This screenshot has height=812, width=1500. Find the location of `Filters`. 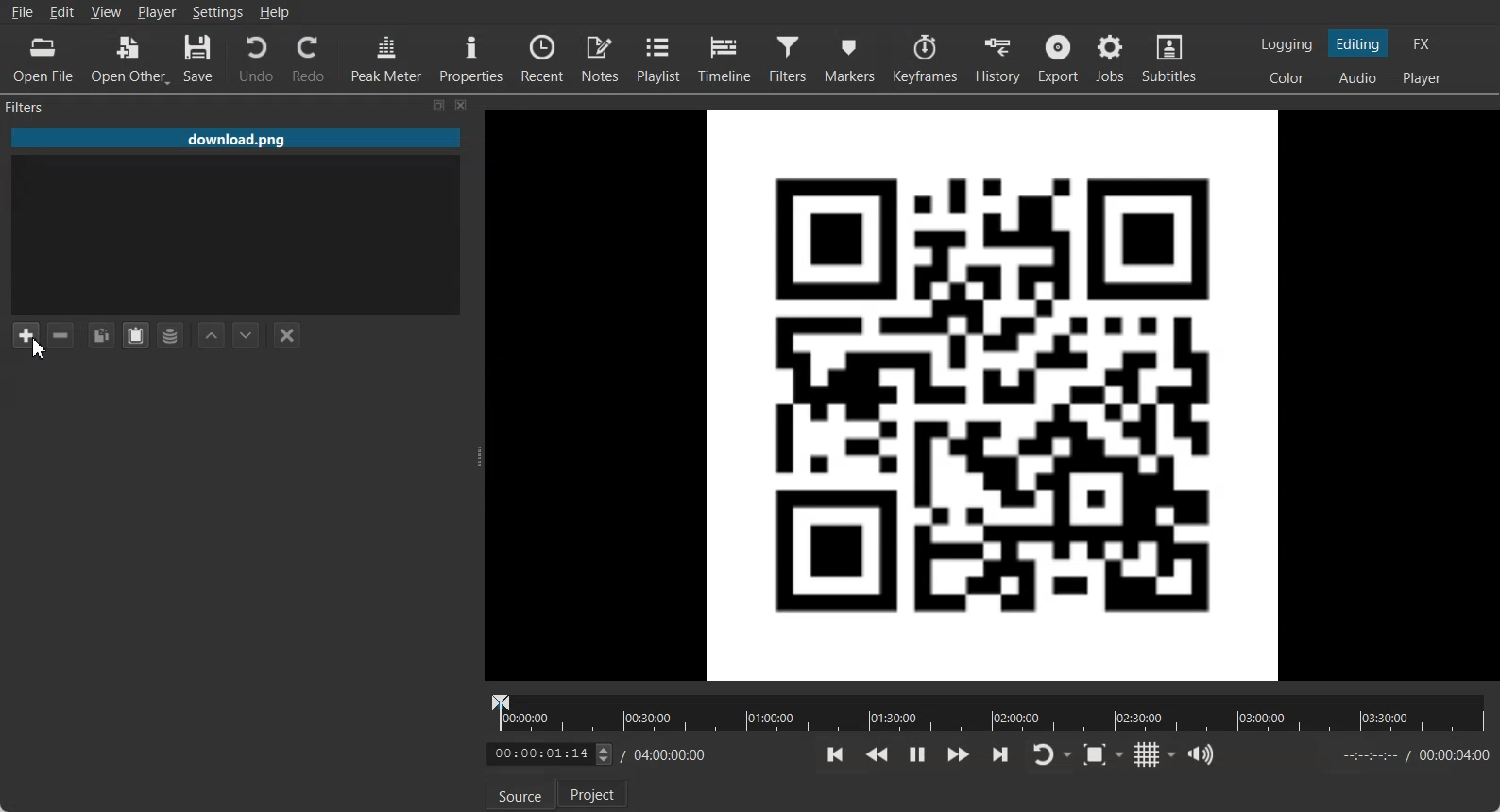

Filters is located at coordinates (791, 58).